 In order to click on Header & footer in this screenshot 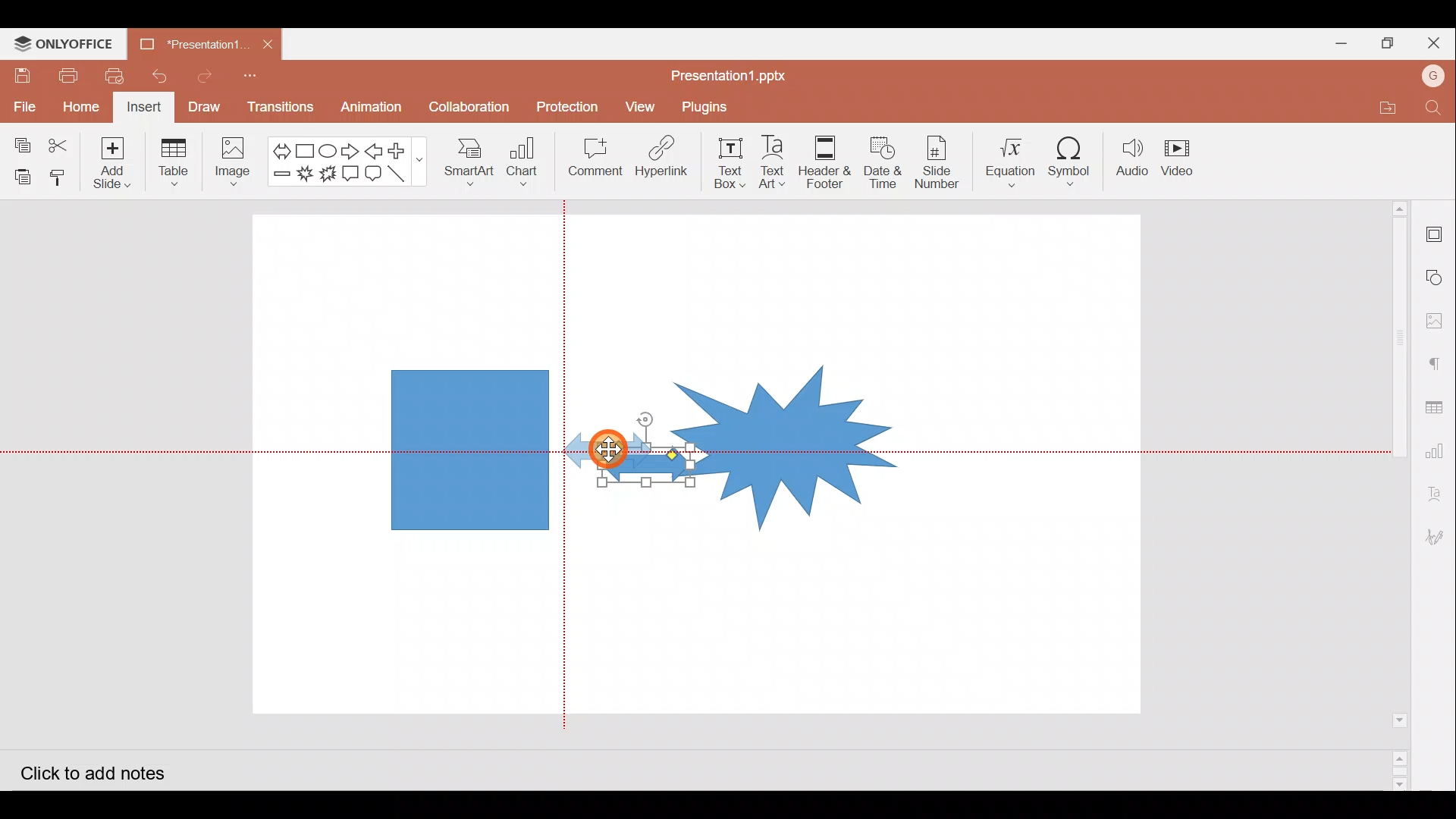, I will do `click(828, 162)`.